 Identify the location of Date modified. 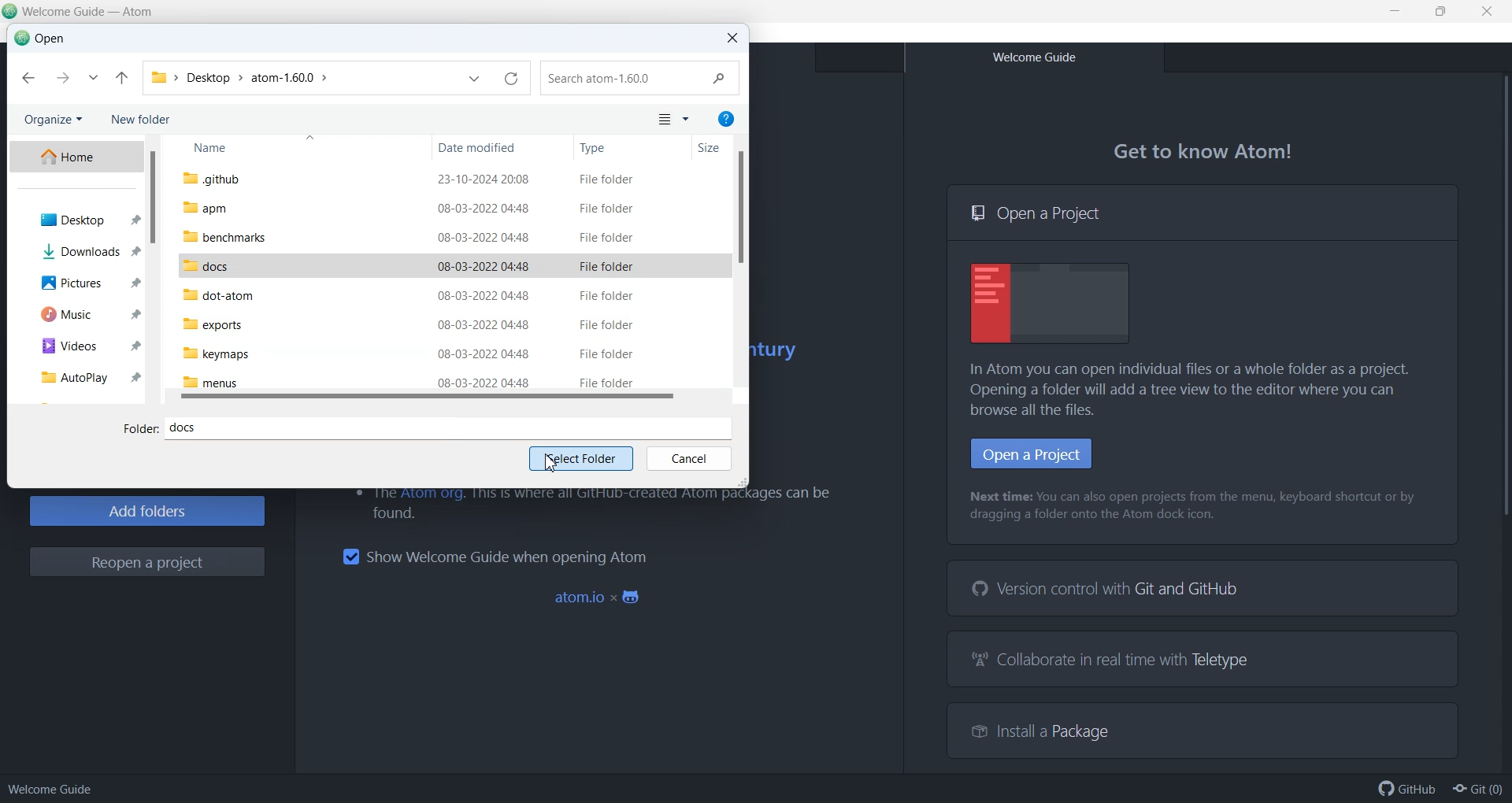
(503, 148).